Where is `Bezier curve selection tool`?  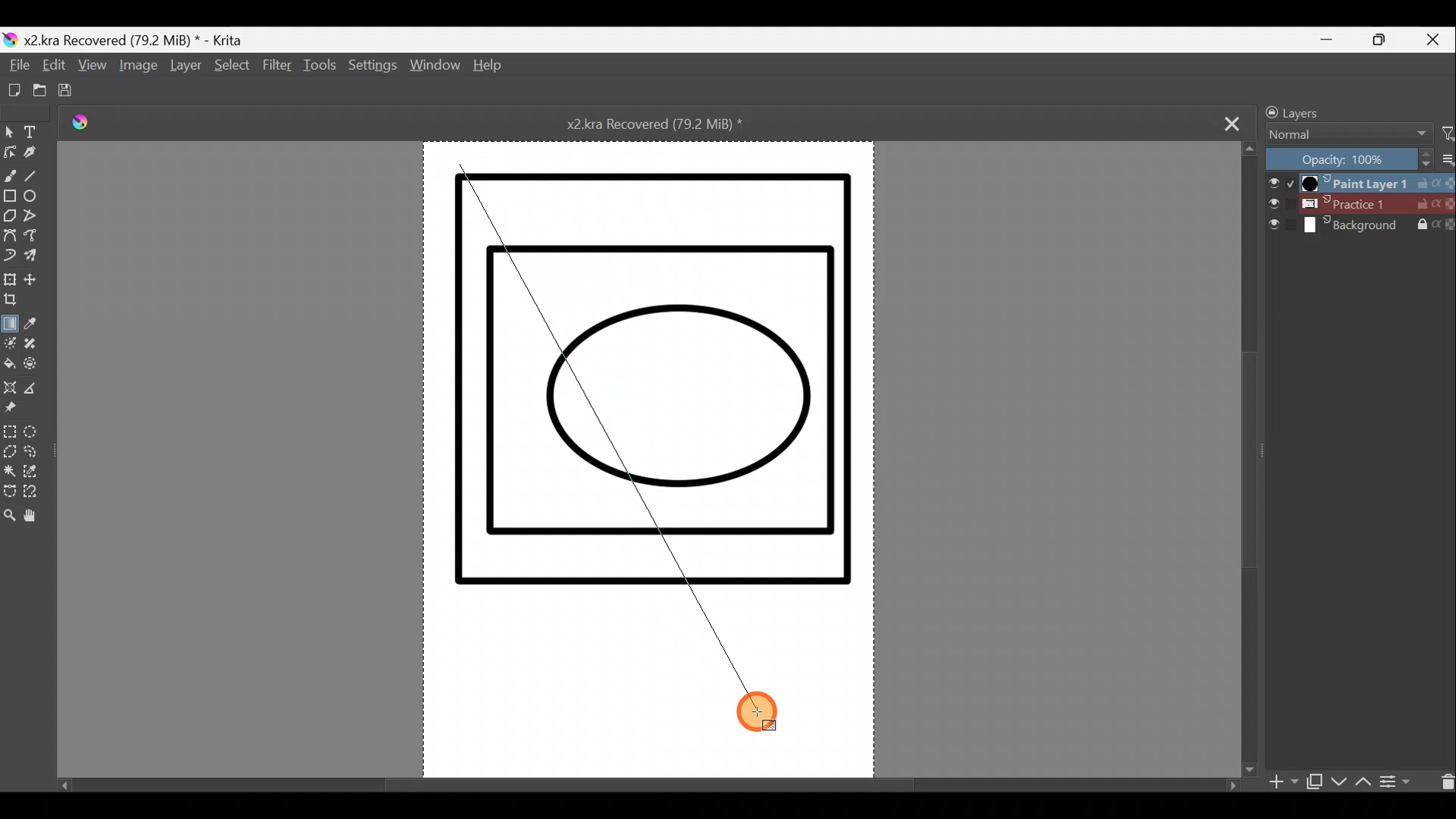 Bezier curve selection tool is located at coordinates (9, 493).